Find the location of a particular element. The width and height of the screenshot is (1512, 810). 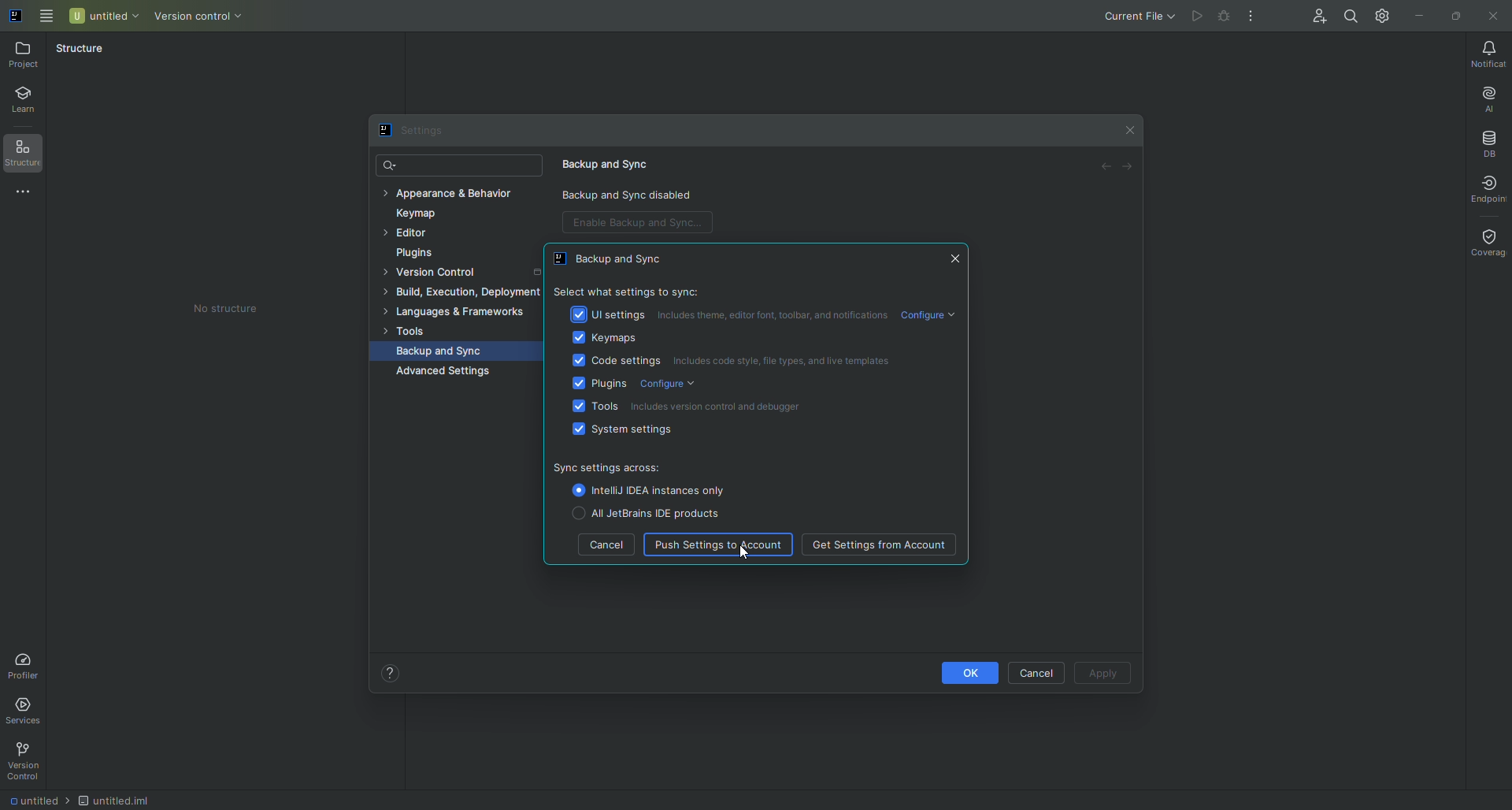

Tools is located at coordinates (412, 331).